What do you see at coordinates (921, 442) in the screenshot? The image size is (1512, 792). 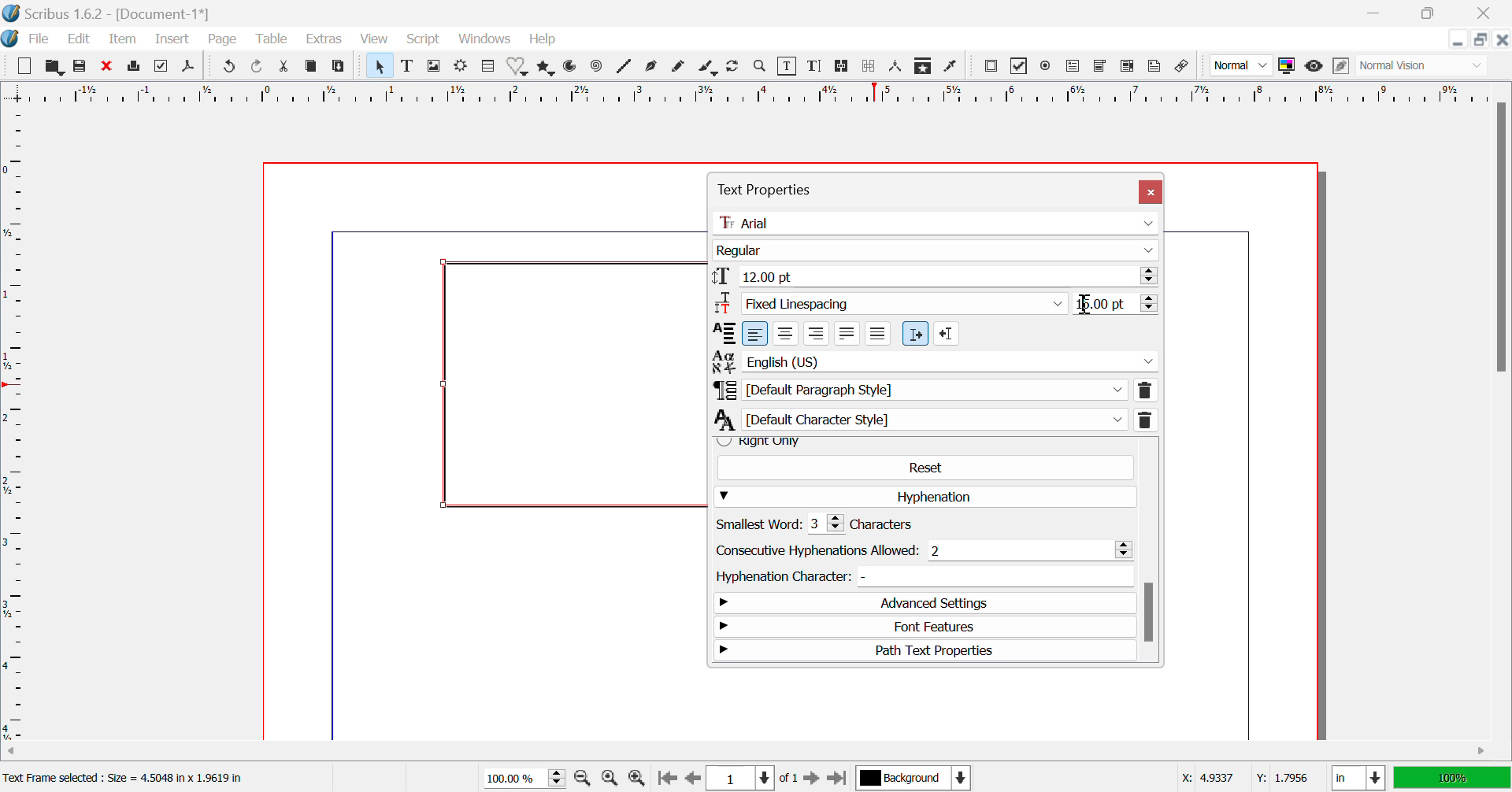 I see `Right Only` at bounding box center [921, 442].